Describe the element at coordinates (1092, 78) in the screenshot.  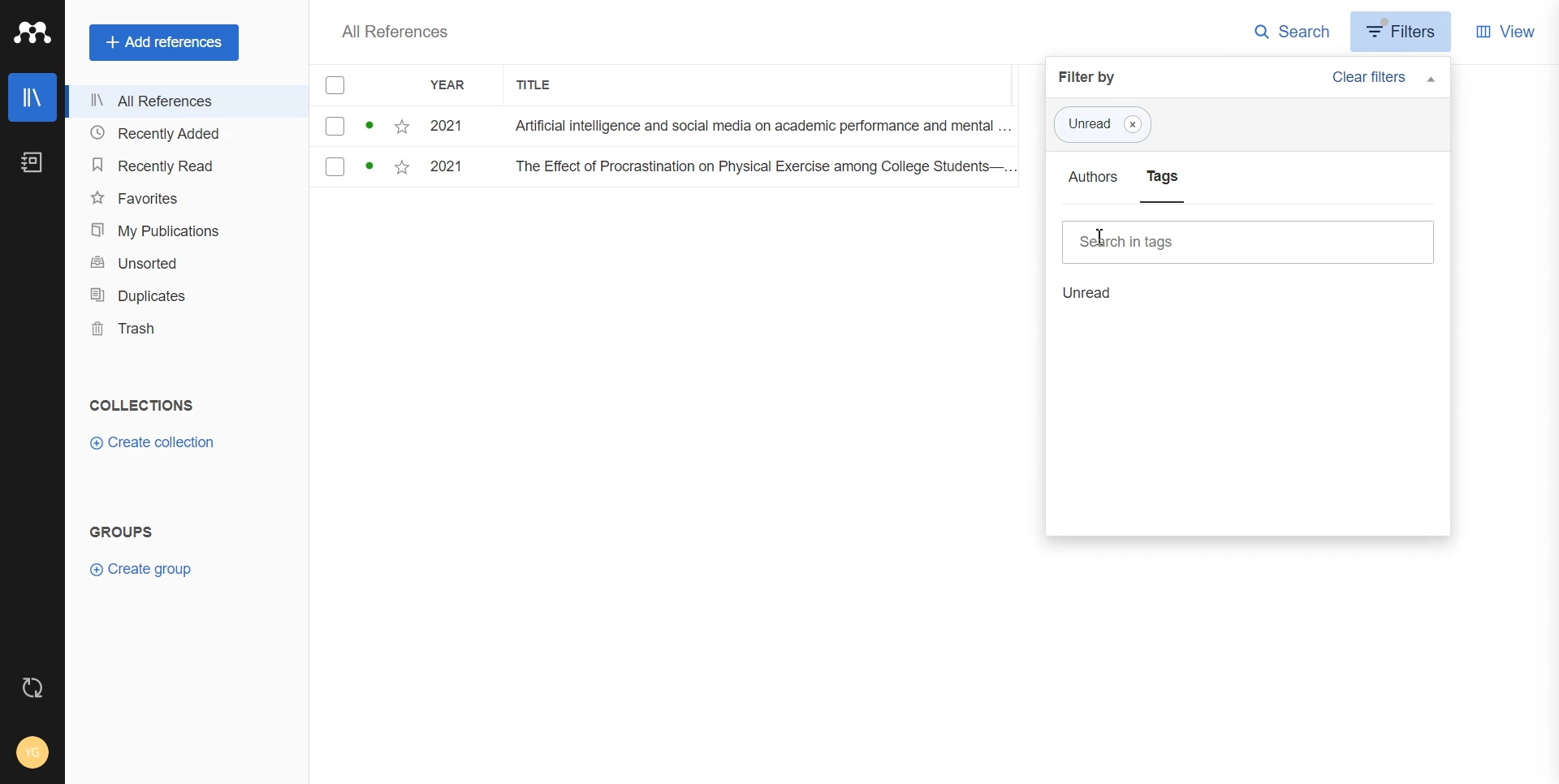
I see `Filter by` at that location.